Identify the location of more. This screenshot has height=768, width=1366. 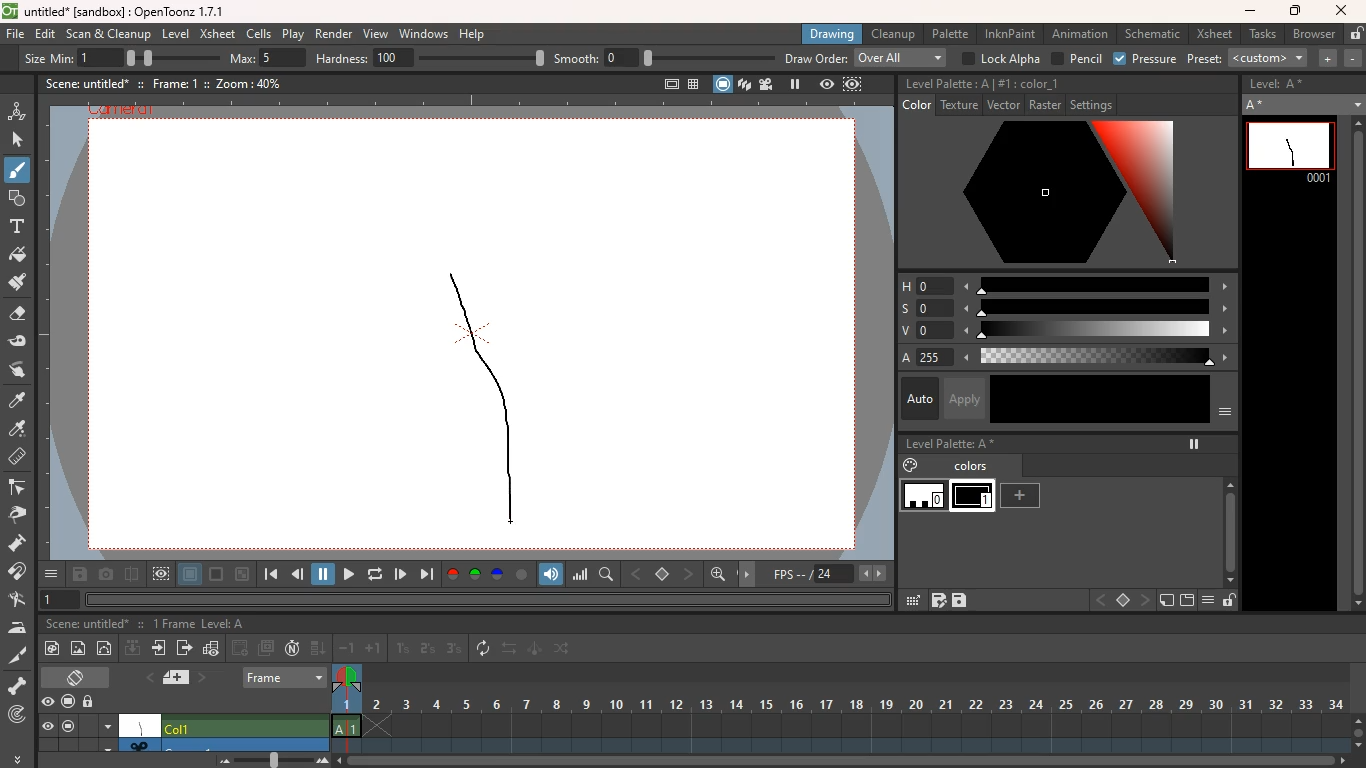
(1329, 59).